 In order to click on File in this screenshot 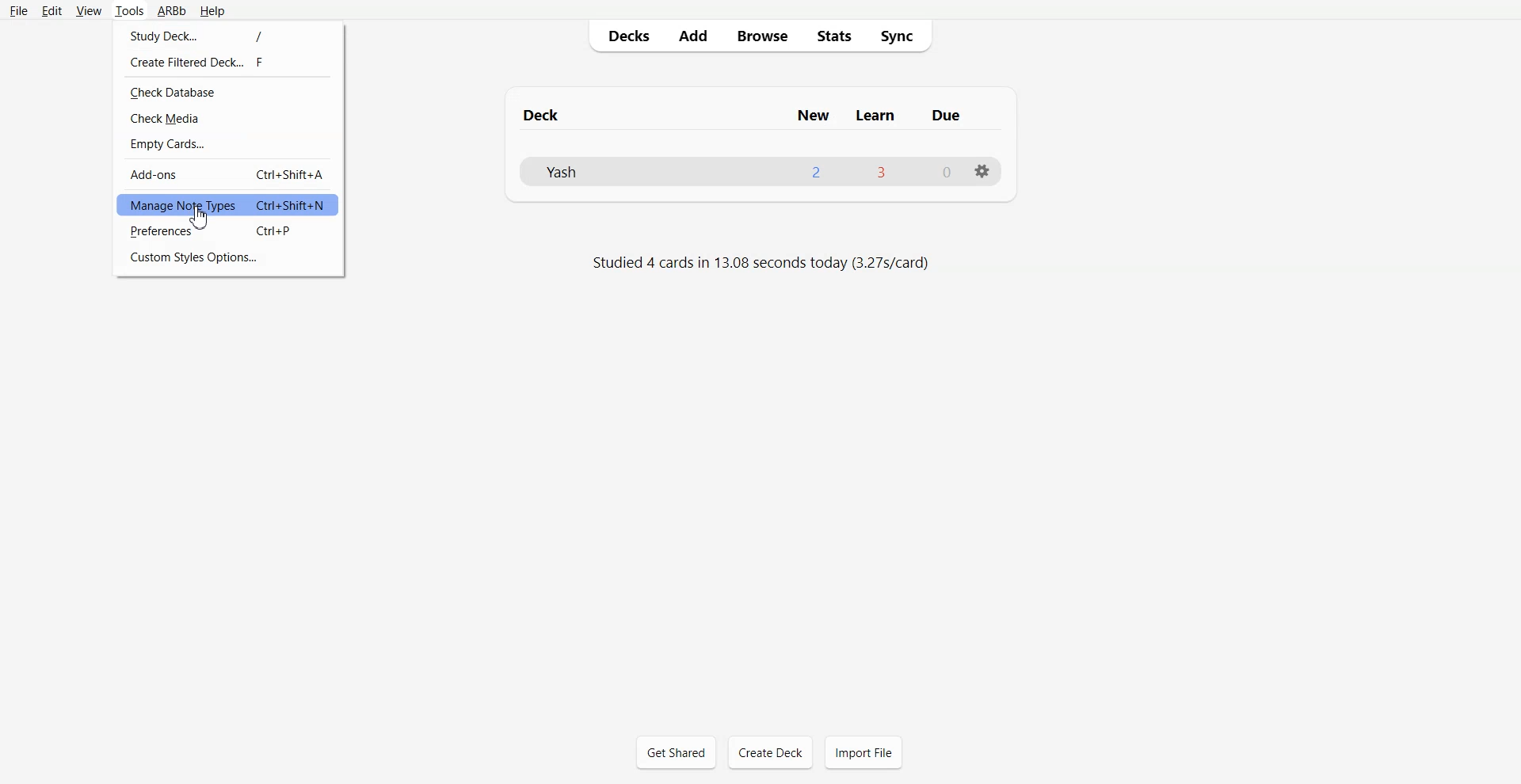, I will do `click(19, 11)`.